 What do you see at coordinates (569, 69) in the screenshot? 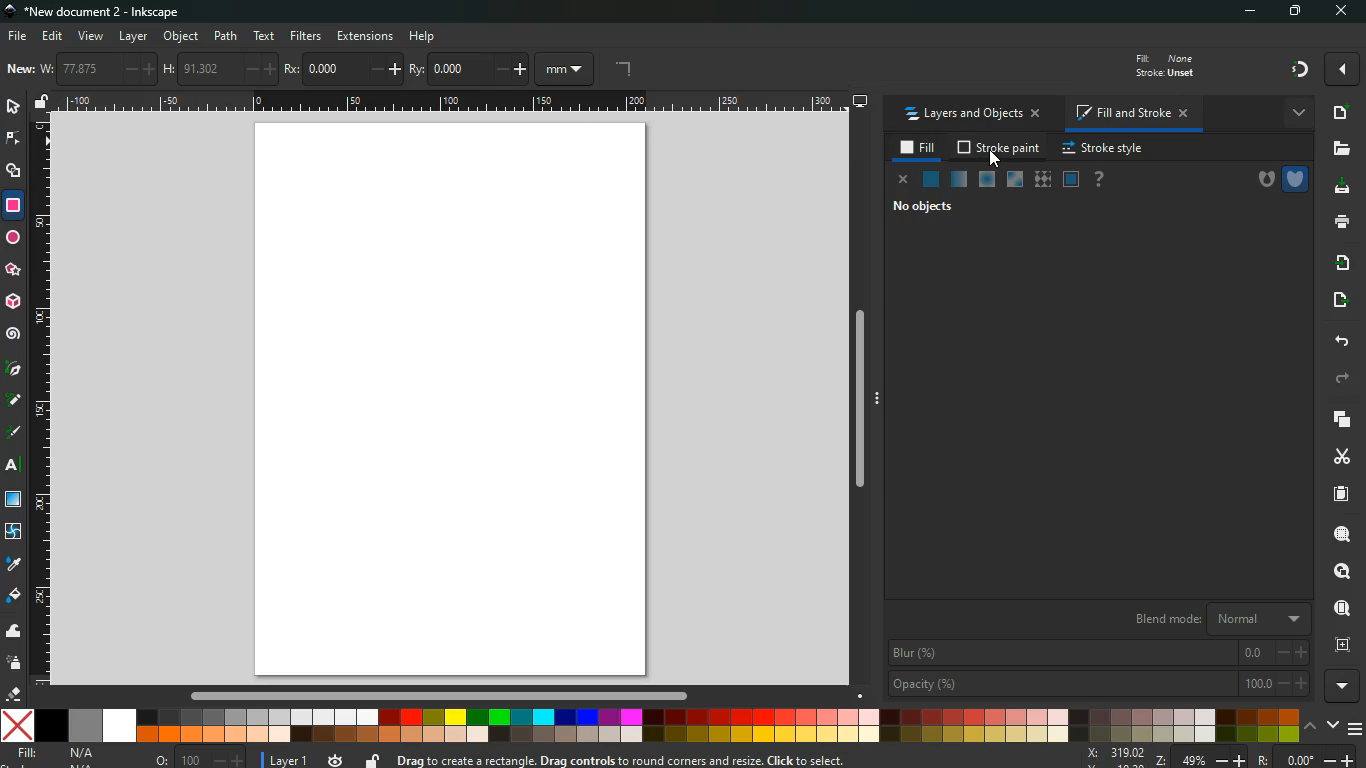
I see `mm` at bounding box center [569, 69].